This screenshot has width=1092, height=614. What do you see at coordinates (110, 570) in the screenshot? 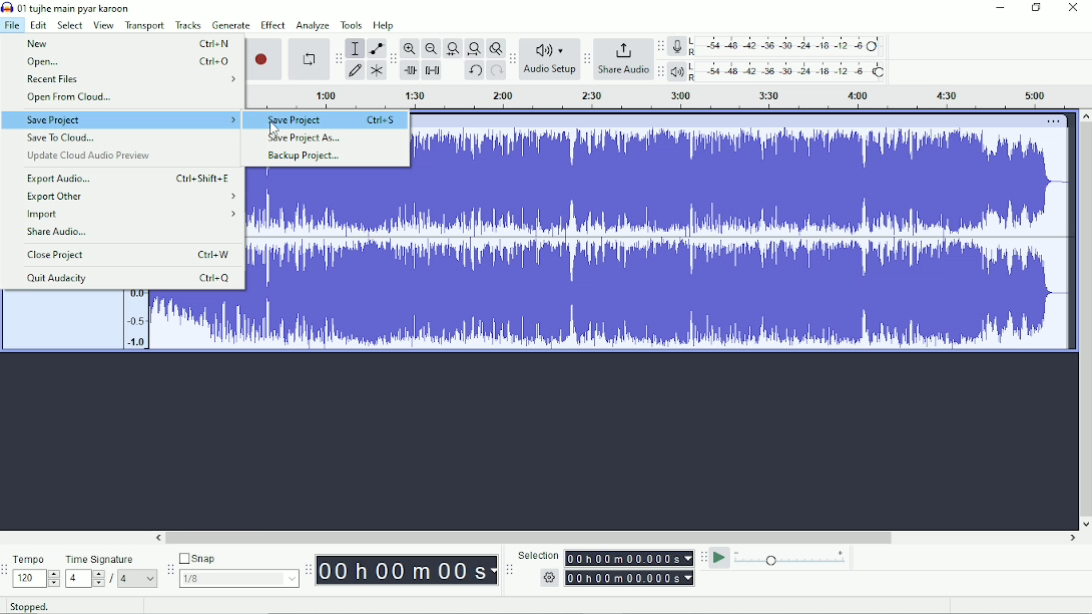
I see `Time Signature` at bounding box center [110, 570].